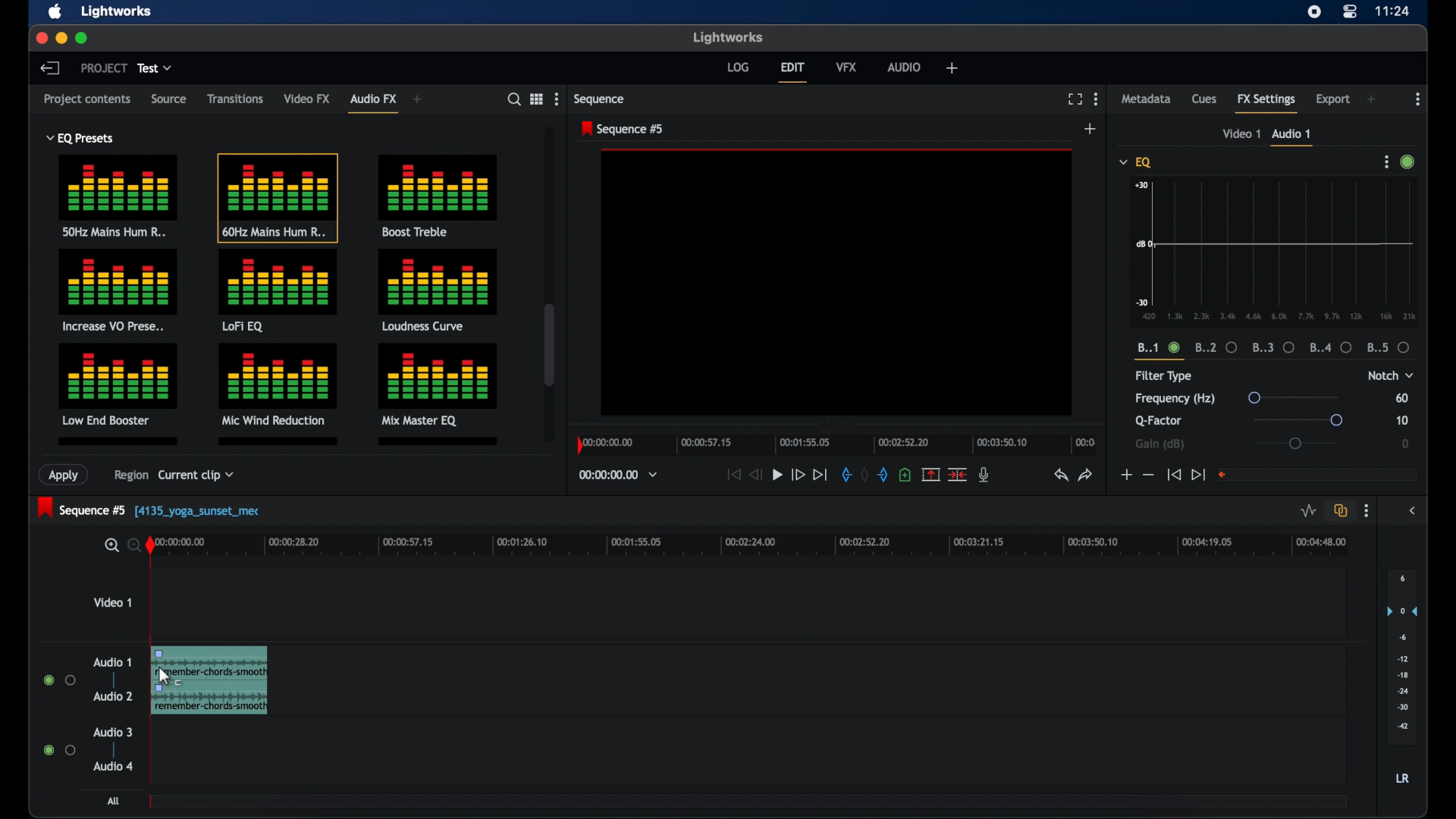  Describe the element at coordinates (1409, 162) in the screenshot. I see `active icon` at that location.